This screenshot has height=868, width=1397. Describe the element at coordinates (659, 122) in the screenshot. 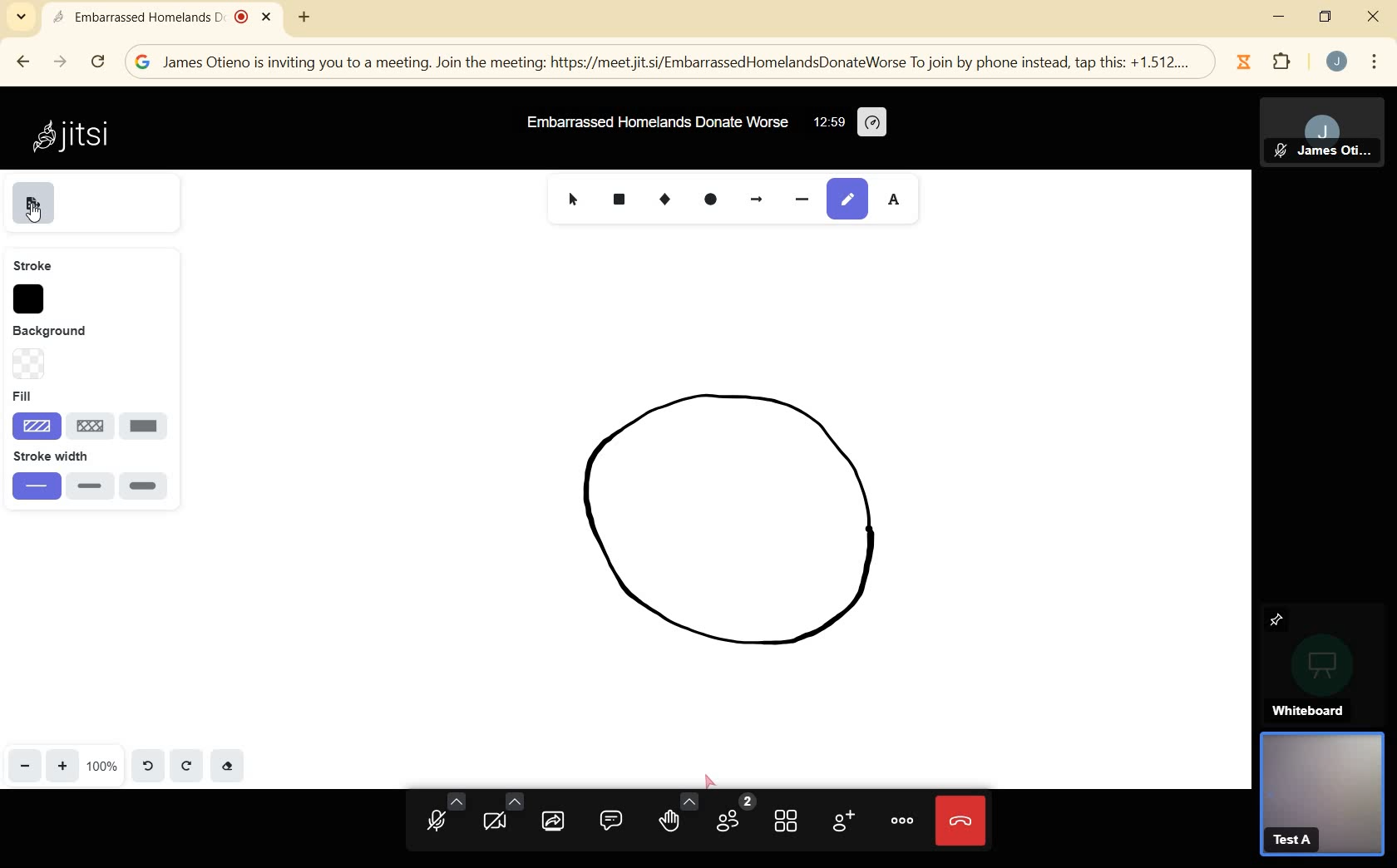

I see `Embarrassed Homelands Donate Worse` at that location.